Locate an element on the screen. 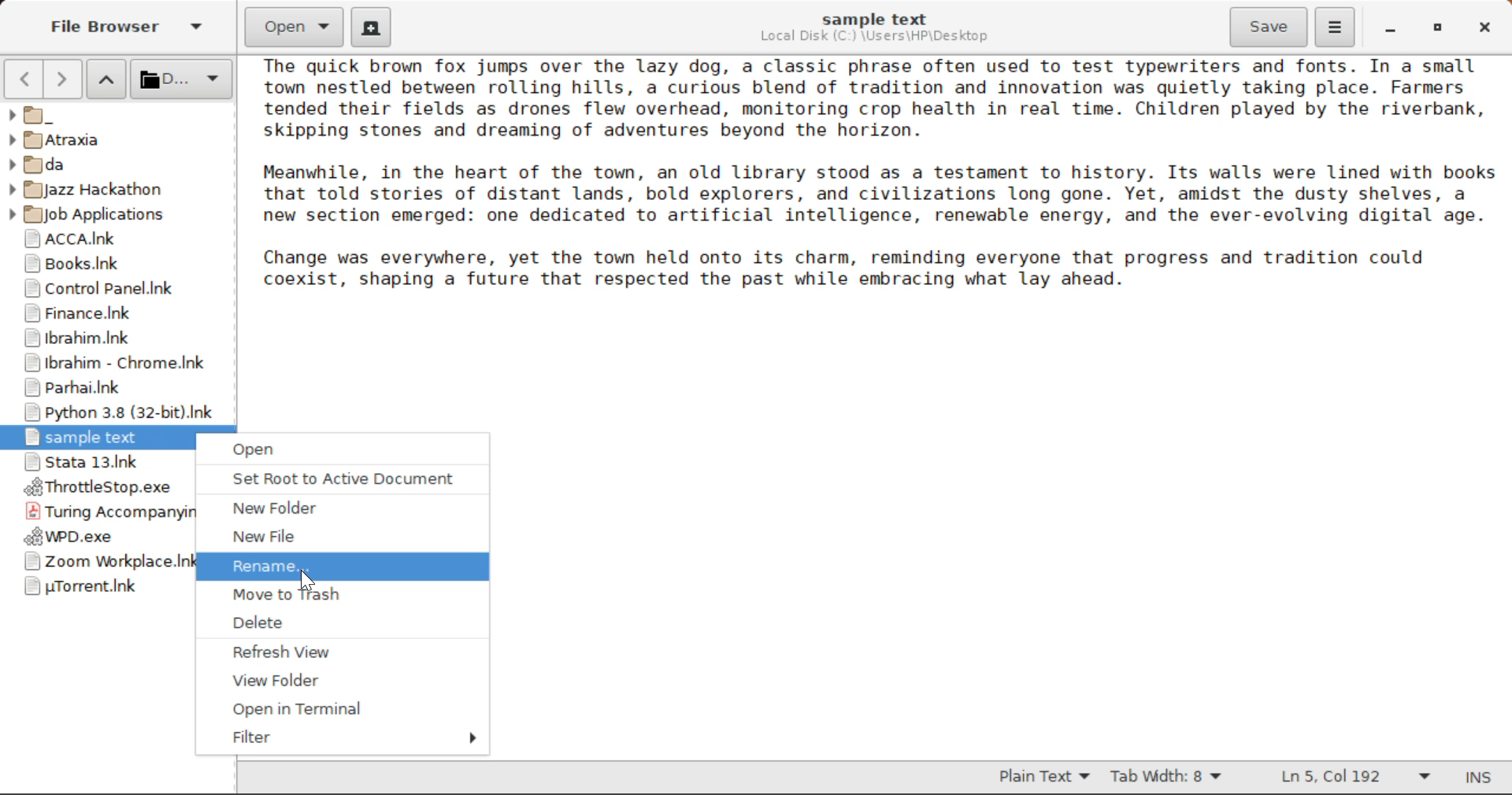  Job Applications Folder is located at coordinates (107, 217).